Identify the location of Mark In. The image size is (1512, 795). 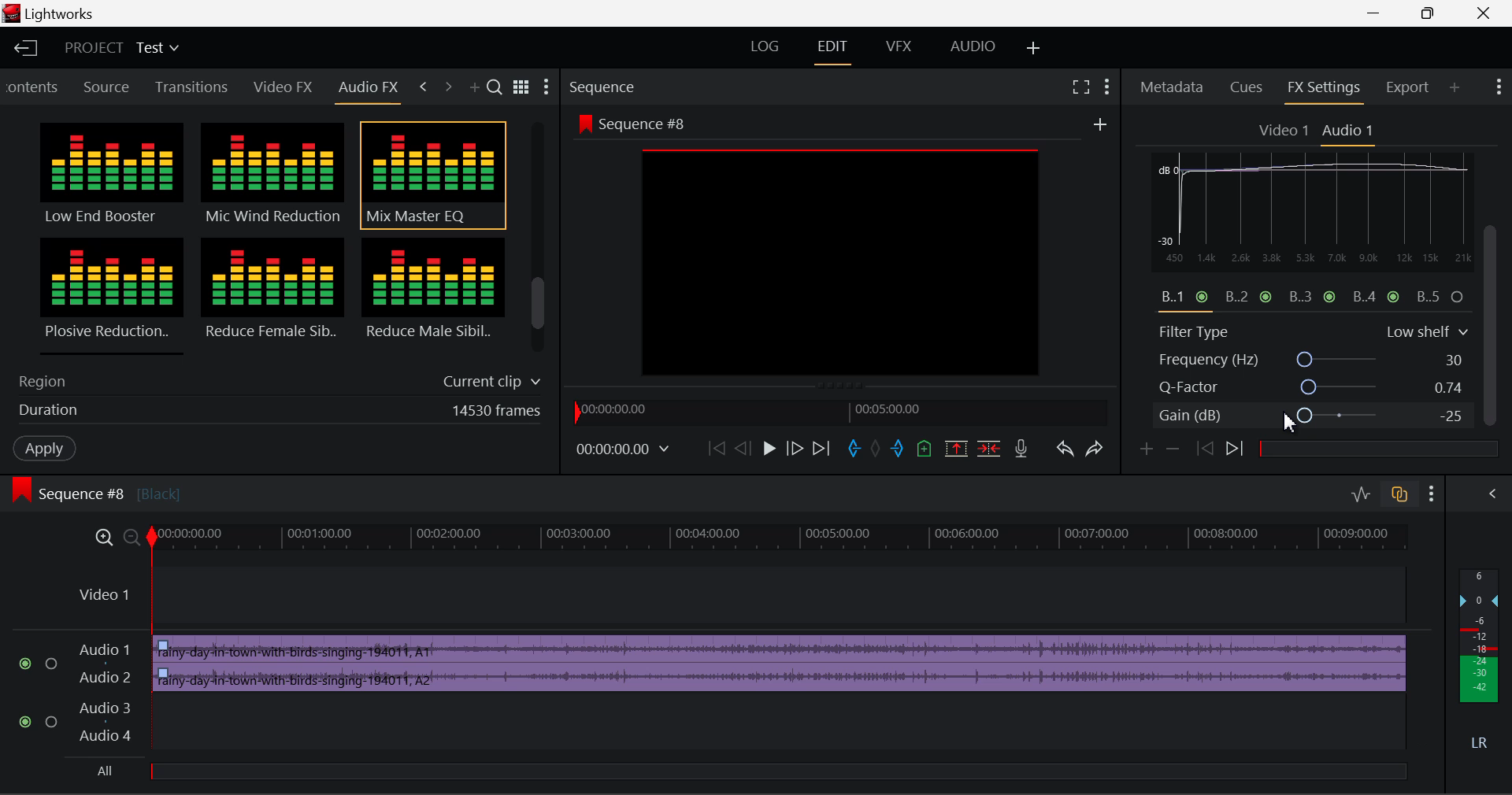
(857, 449).